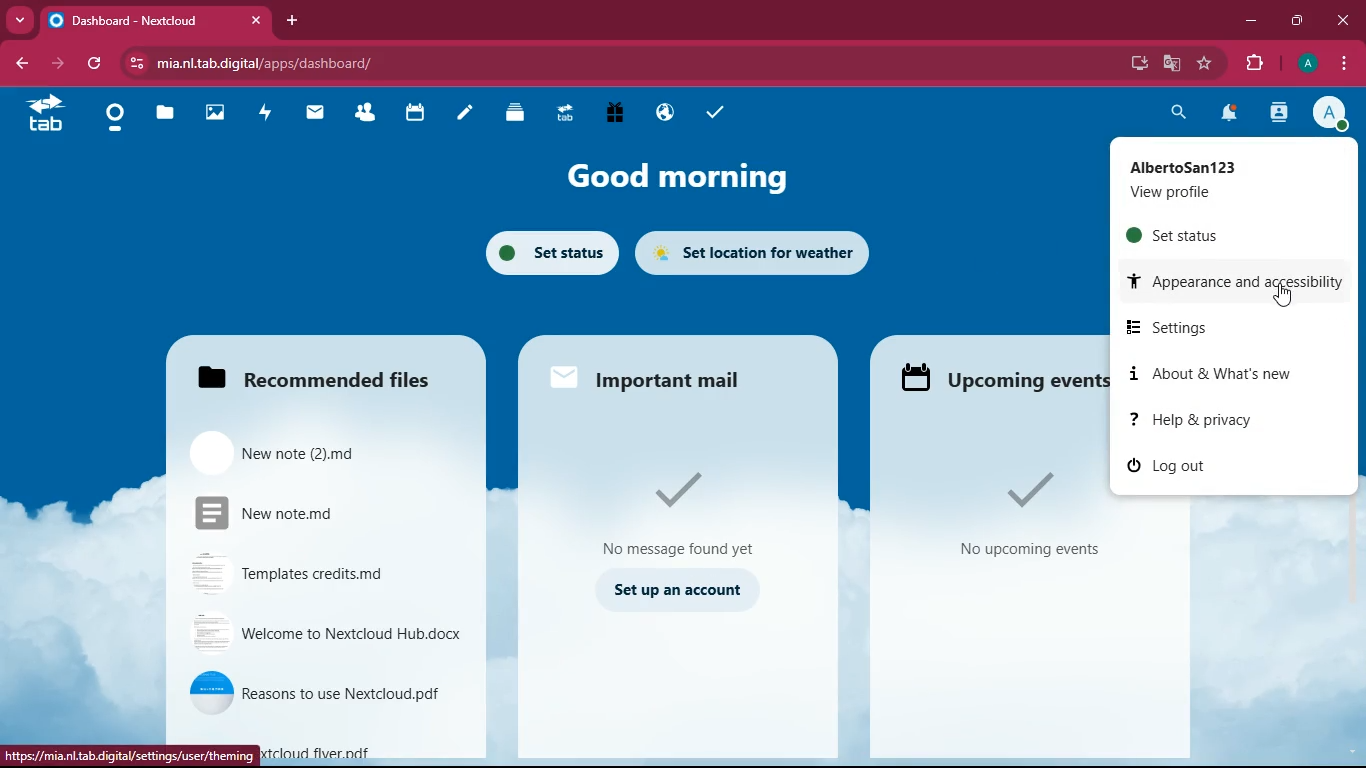 The height and width of the screenshot is (768, 1366). Describe the element at coordinates (312, 454) in the screenshot. I see `new note (2).md` at that location.